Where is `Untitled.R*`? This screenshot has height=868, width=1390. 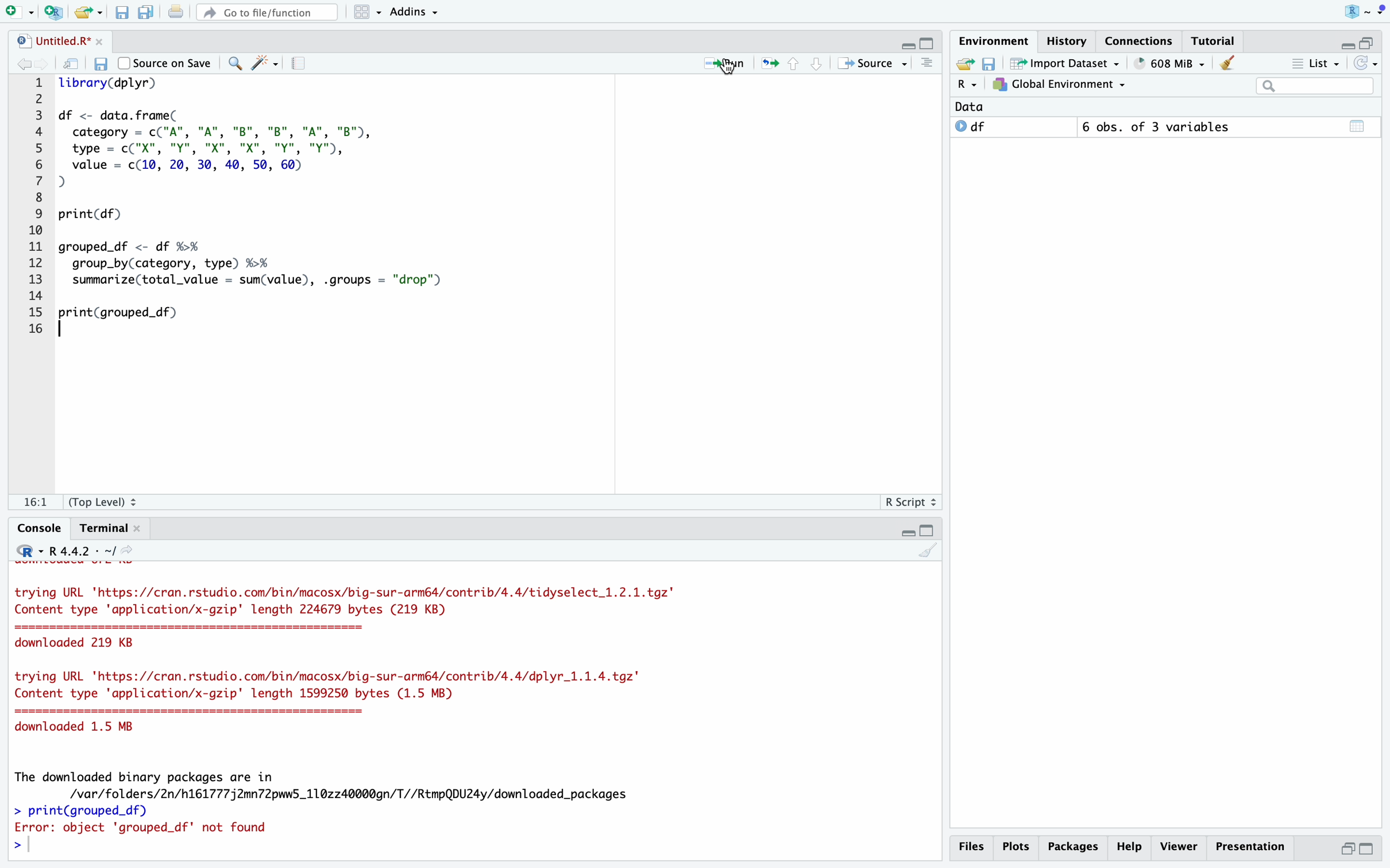 Untitled.R* is located at coordinates (59, 40).